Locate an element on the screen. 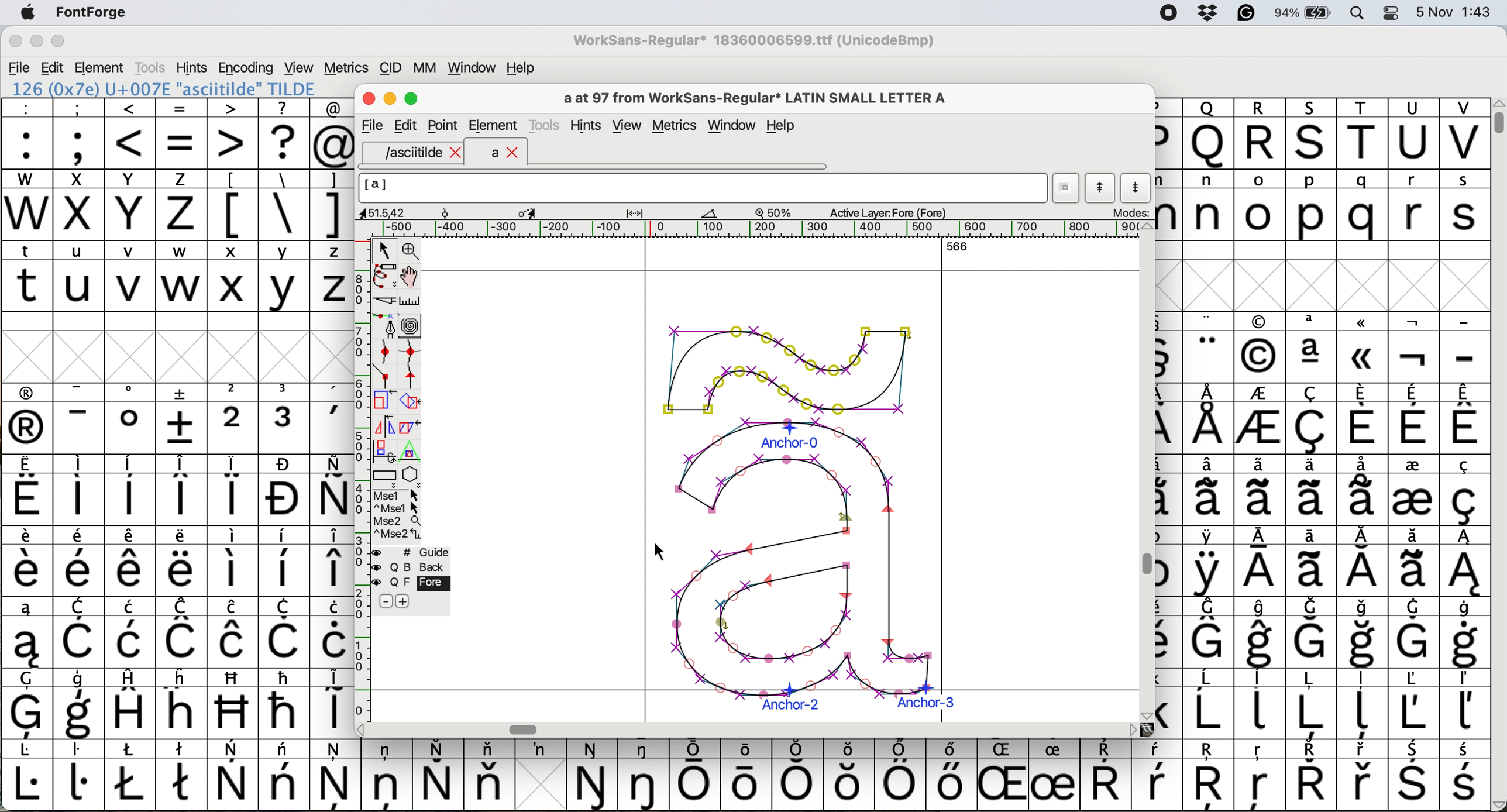 This screenshot has width=1507, height=812. symbol is located at coordinates (696, 775).